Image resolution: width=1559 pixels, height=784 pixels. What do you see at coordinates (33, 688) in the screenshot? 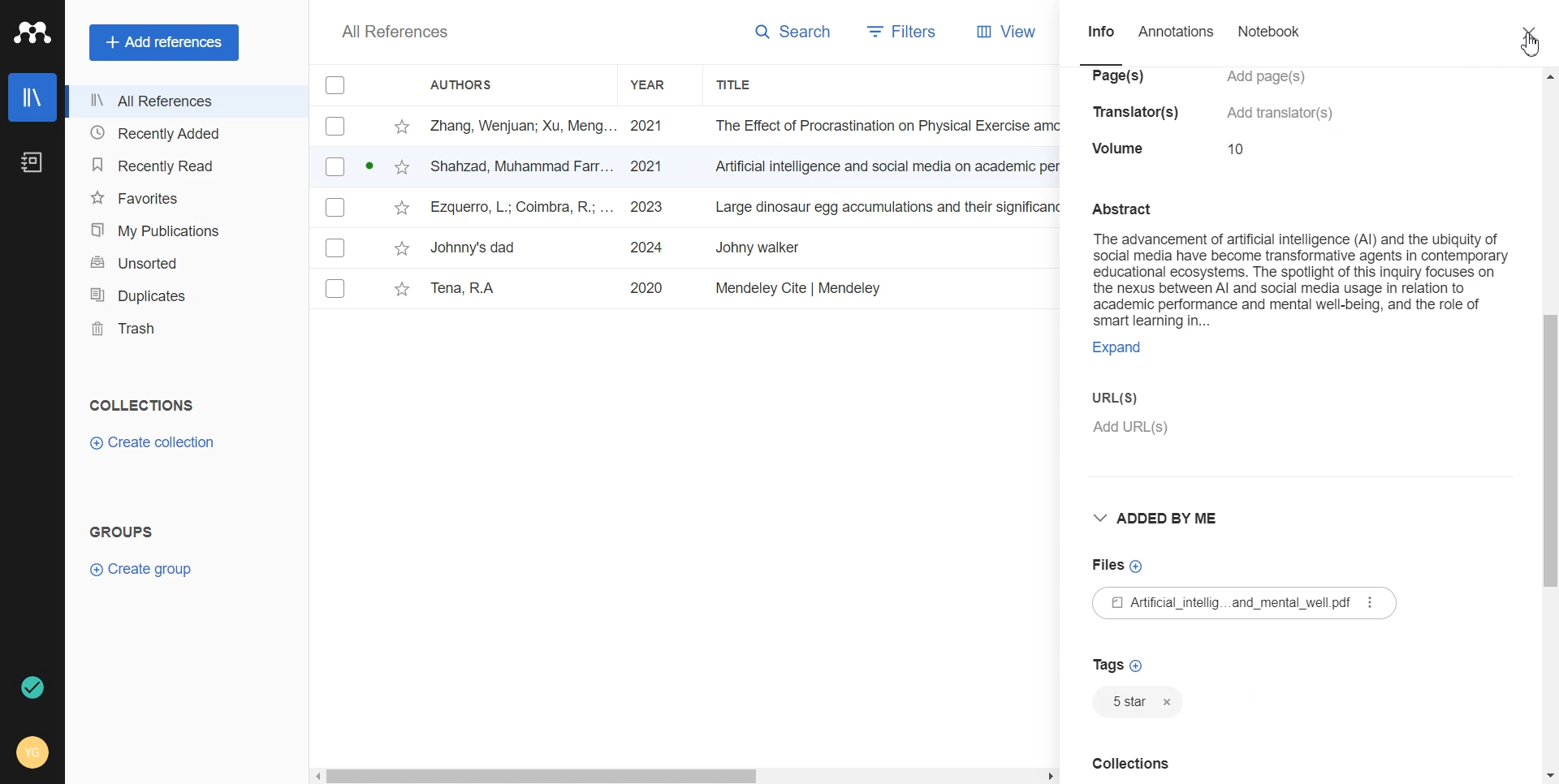
I see `Auto Sync` at bounding box center [33, 688].